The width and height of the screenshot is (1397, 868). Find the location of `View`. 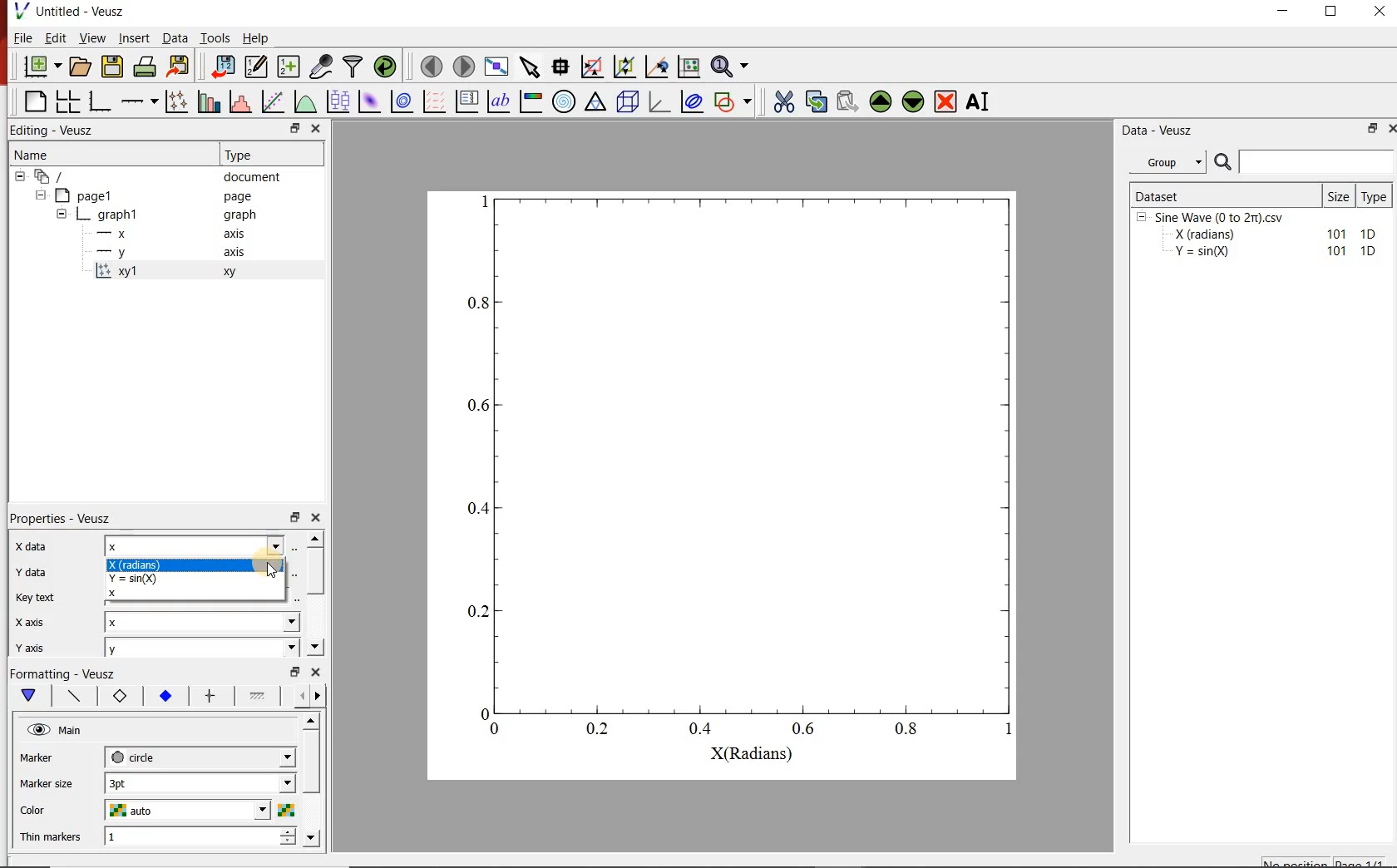

View is located at coordinates (93, 37).